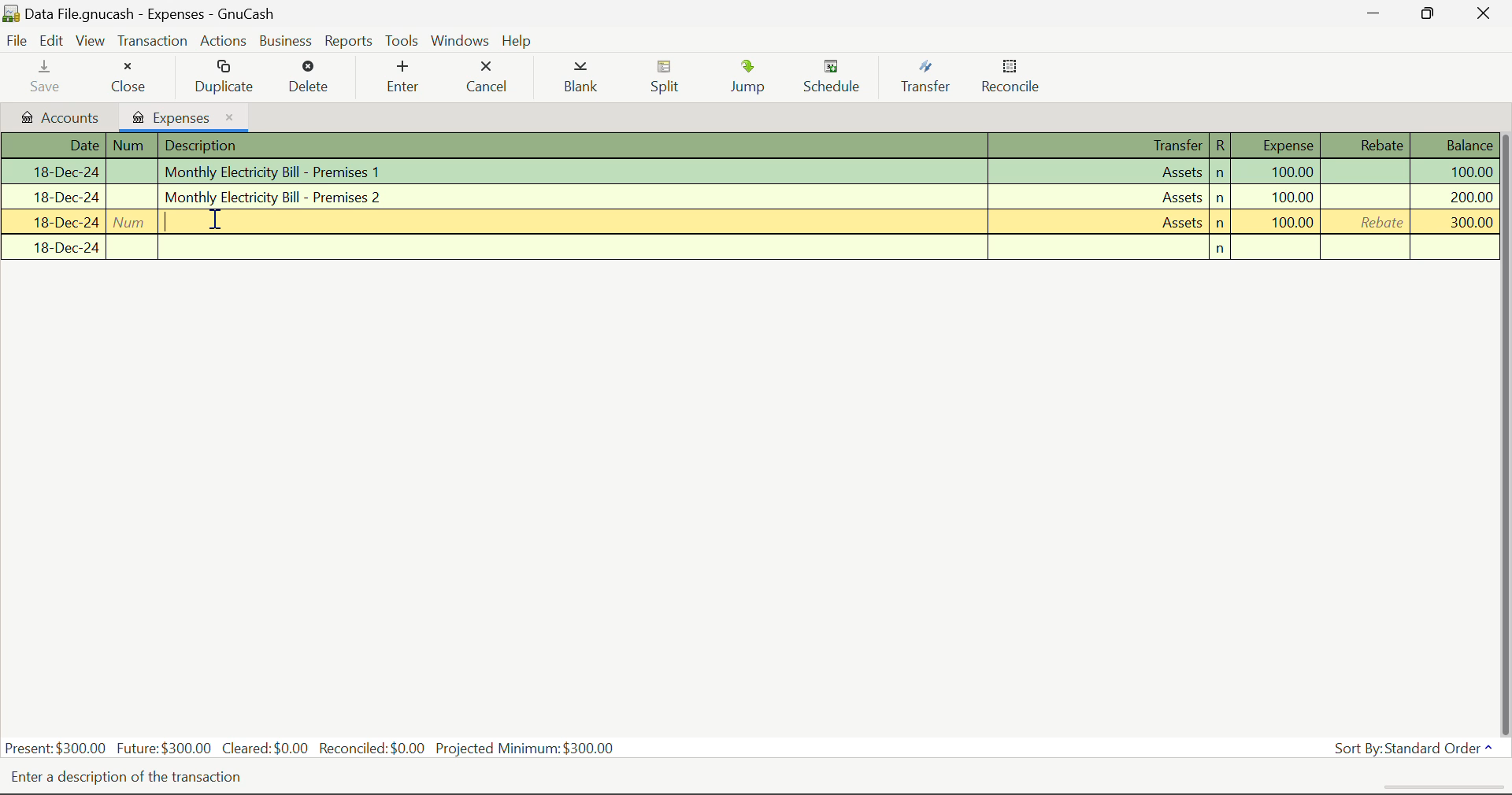  Describe the element at coordinates (223, 41) in the screenshot. I see `Actions` at that location.